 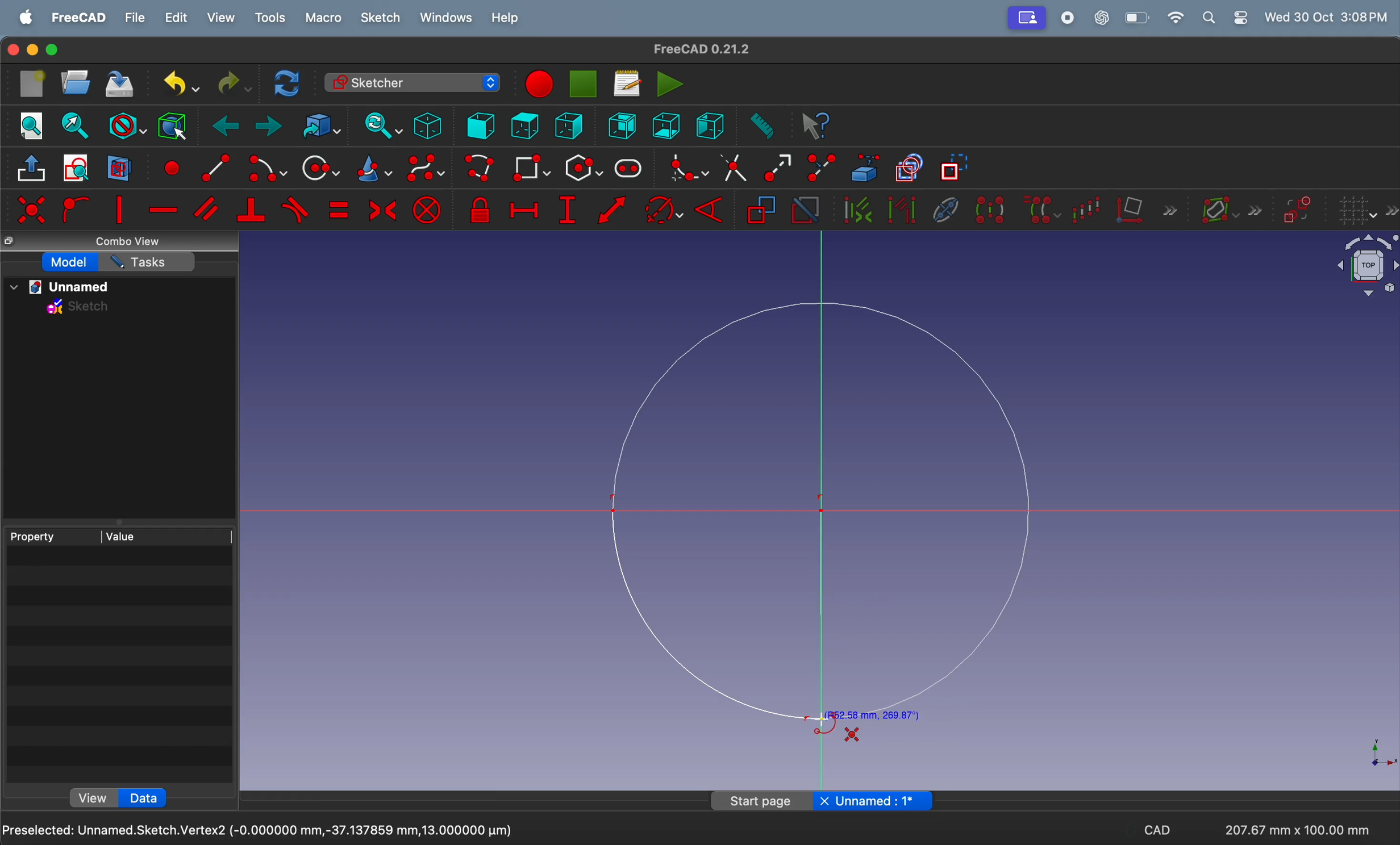 I want to click on wifi, so click(x=1176, y=18).